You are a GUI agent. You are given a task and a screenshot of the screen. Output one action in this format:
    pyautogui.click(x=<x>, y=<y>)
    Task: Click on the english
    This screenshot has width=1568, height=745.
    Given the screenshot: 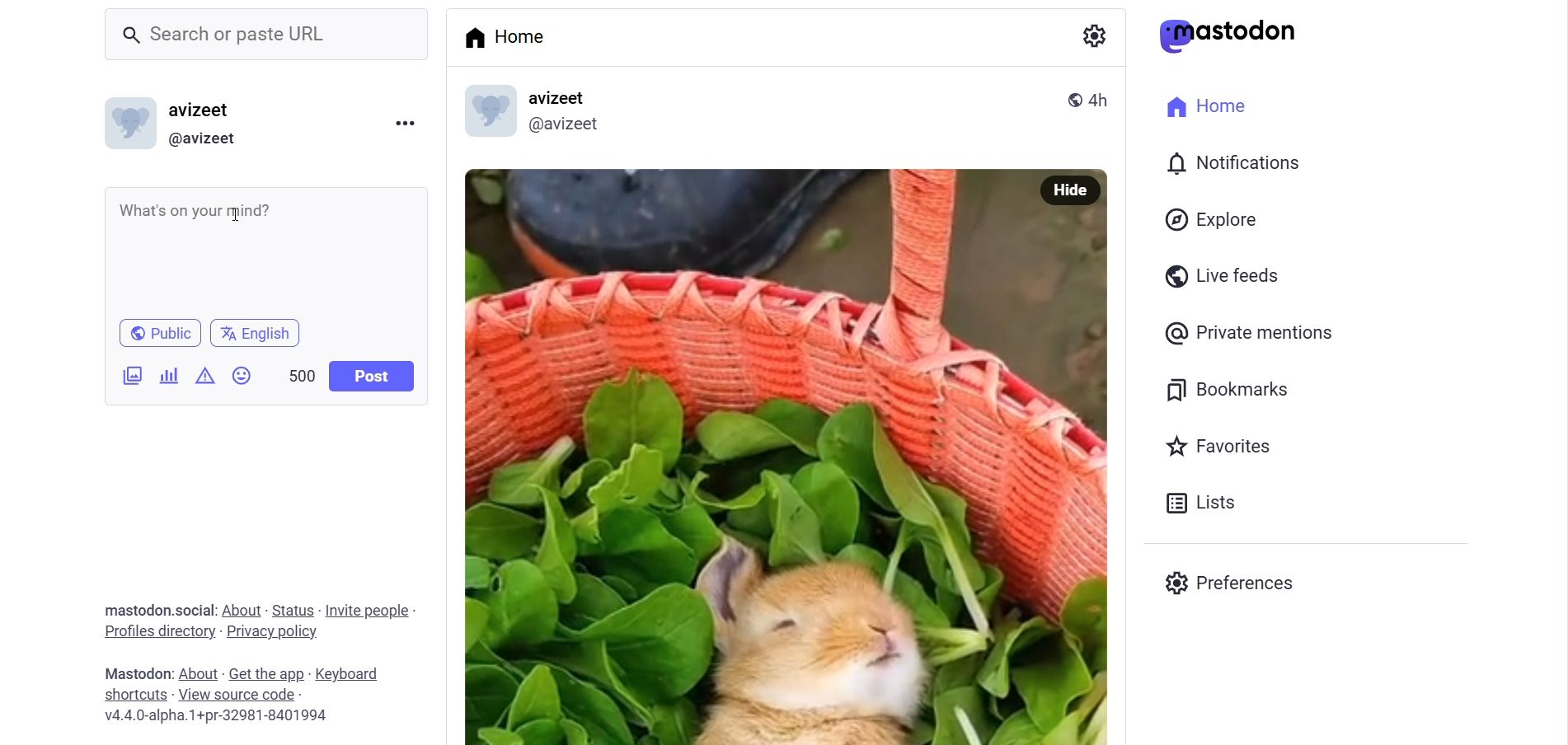 What is the action you would take?
    pyautogui.click(x=256, y=332)
    